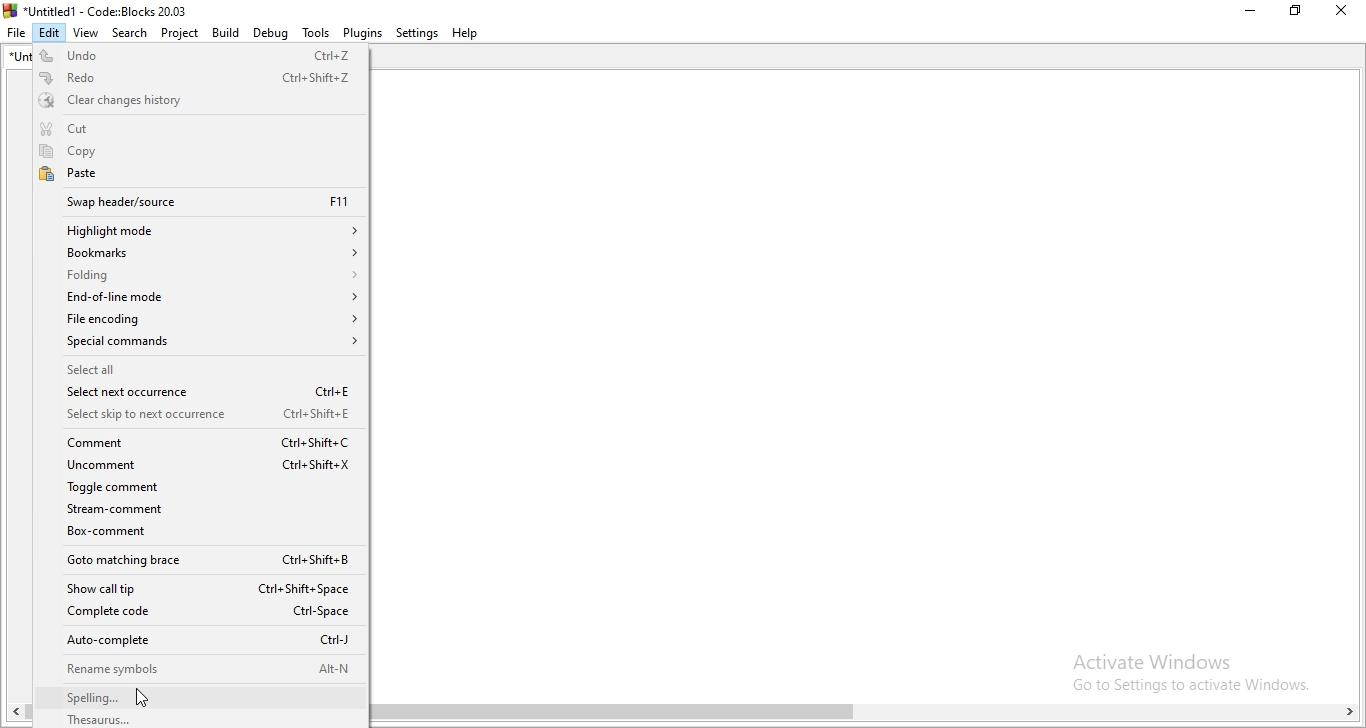 The width and height of the screenshot is (1366, 728). What do you see at coordinates (198, 394) in the screenshot?
I see `Select next occurrence` at bounding box center [198, 394].